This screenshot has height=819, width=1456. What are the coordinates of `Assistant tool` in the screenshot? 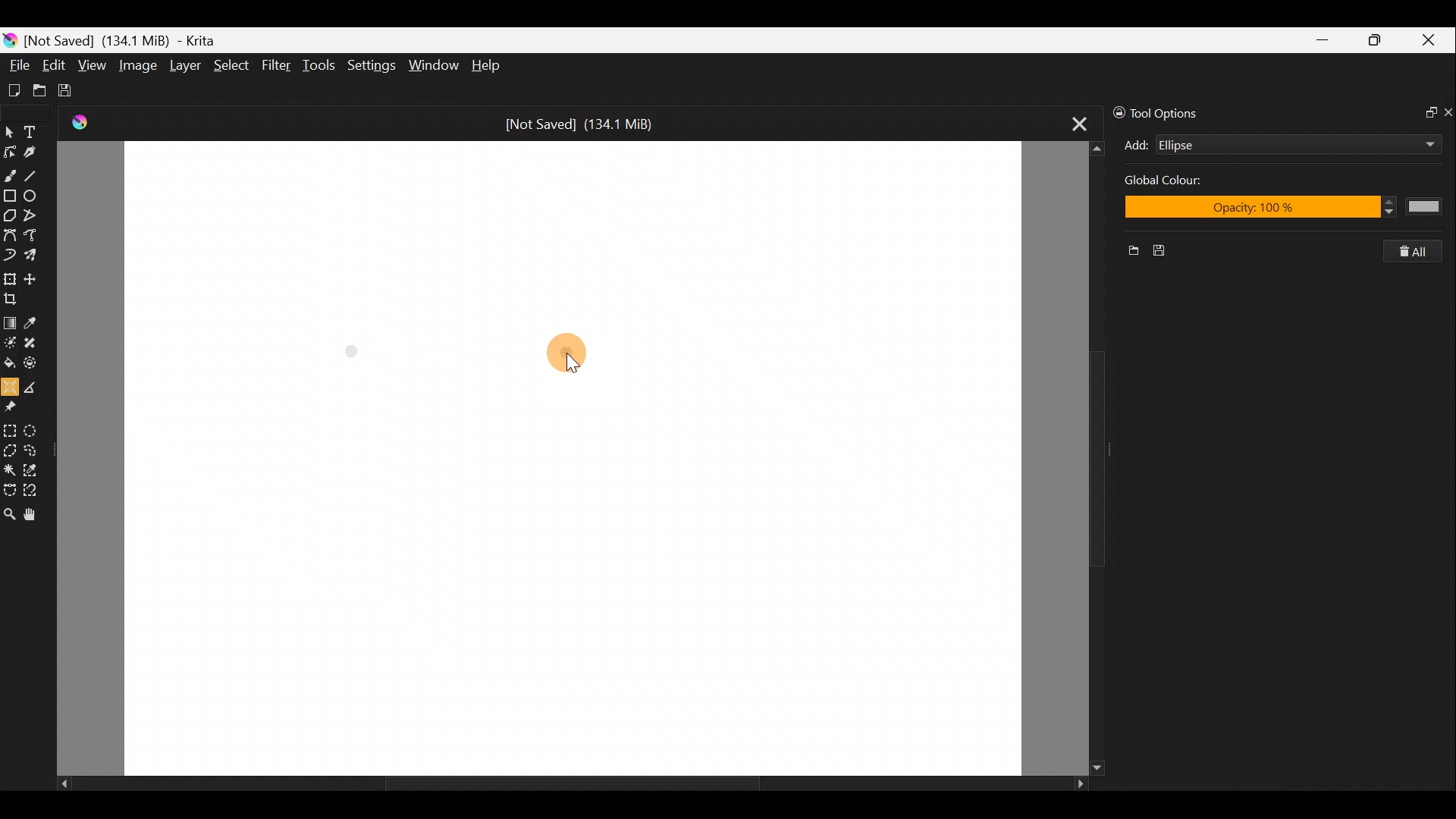 It's located at (10, 385).